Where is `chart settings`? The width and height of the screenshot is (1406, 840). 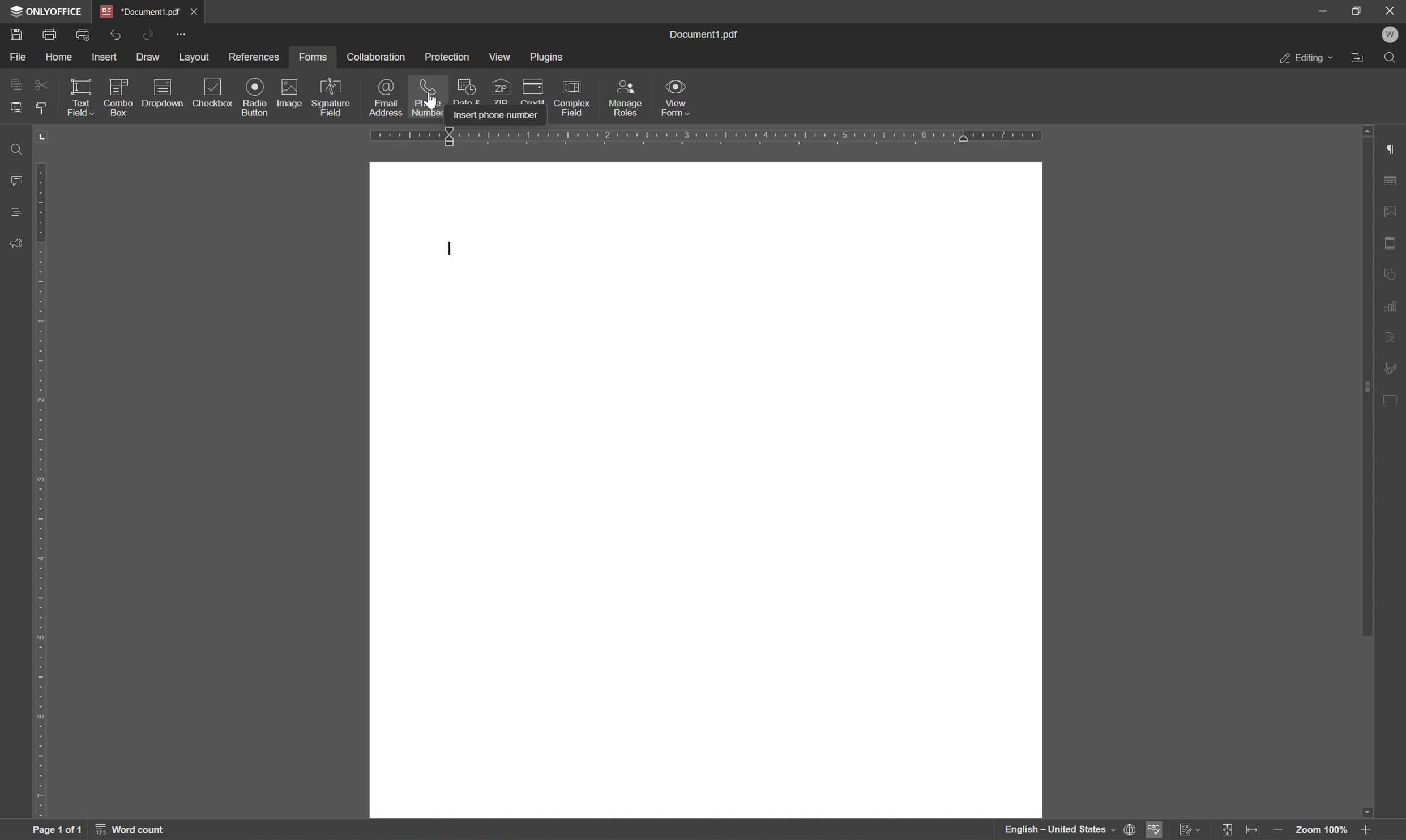
chart settings is located at coordinates (1394, 307).